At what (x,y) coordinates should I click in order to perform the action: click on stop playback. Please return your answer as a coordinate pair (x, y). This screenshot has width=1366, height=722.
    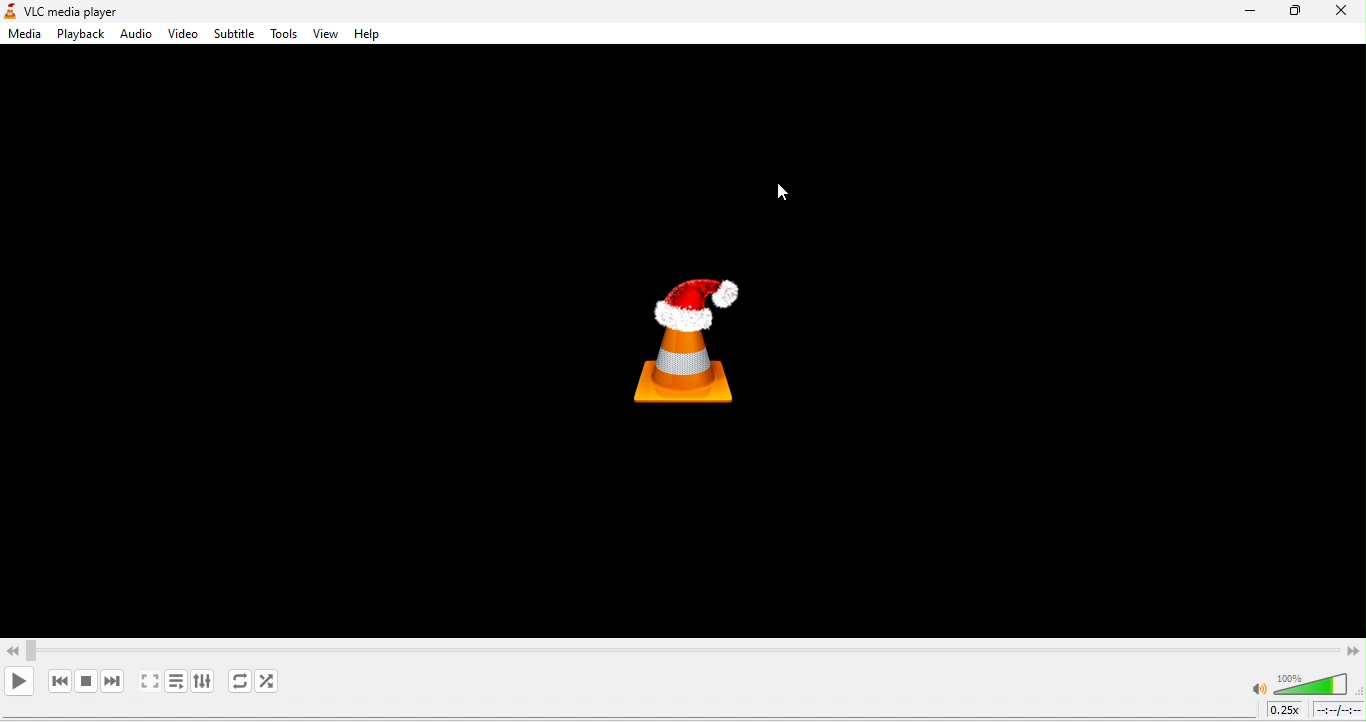
    Looking at the image, I should click on (79, 684).